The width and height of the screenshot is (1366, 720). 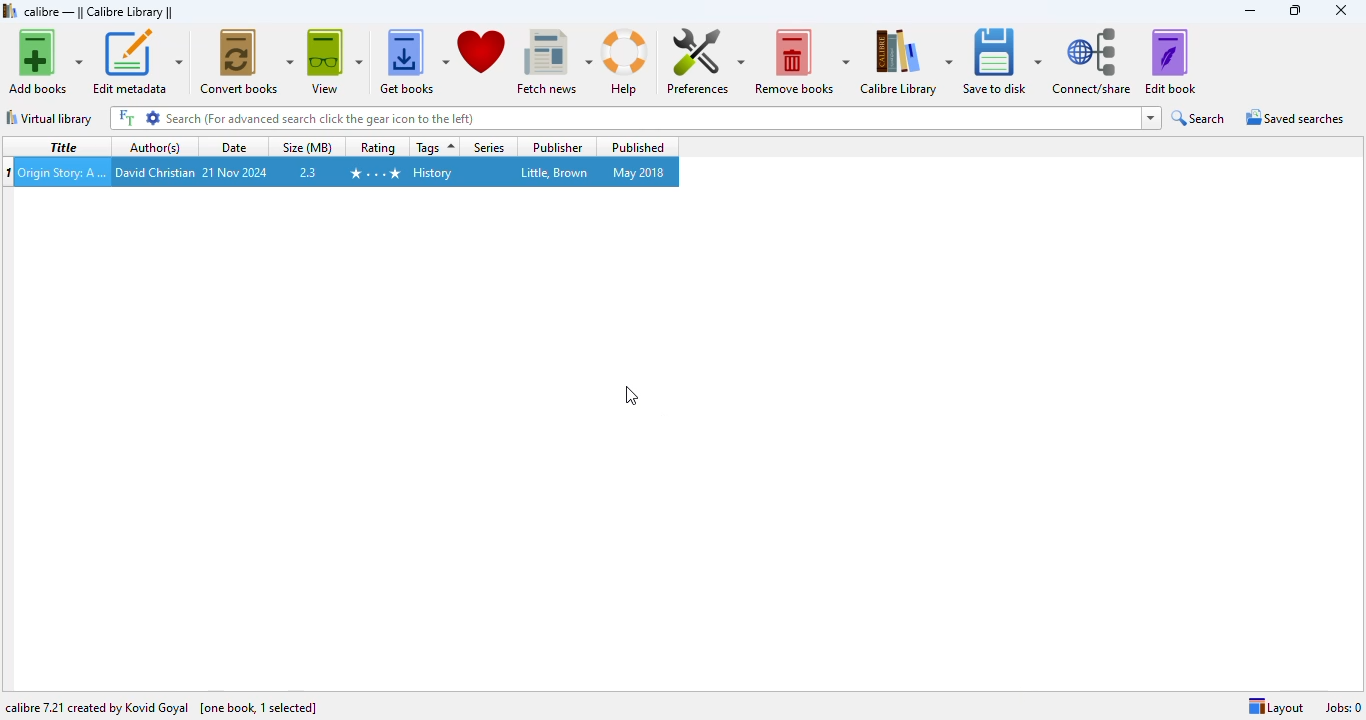 I want to click on date, so click(x=234, y=148).